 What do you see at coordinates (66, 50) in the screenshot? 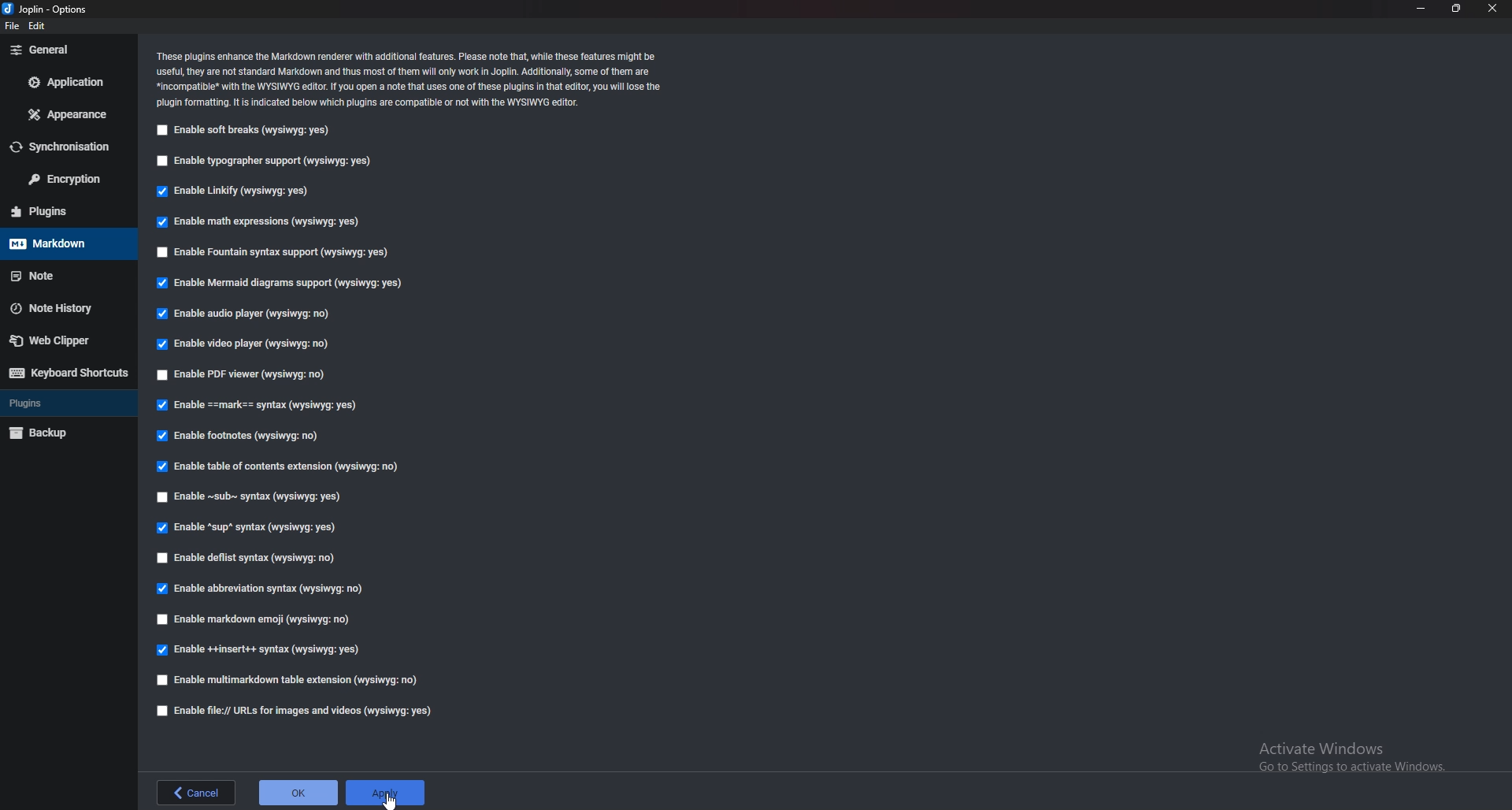
I see `general` at bounding box center [66, 50].